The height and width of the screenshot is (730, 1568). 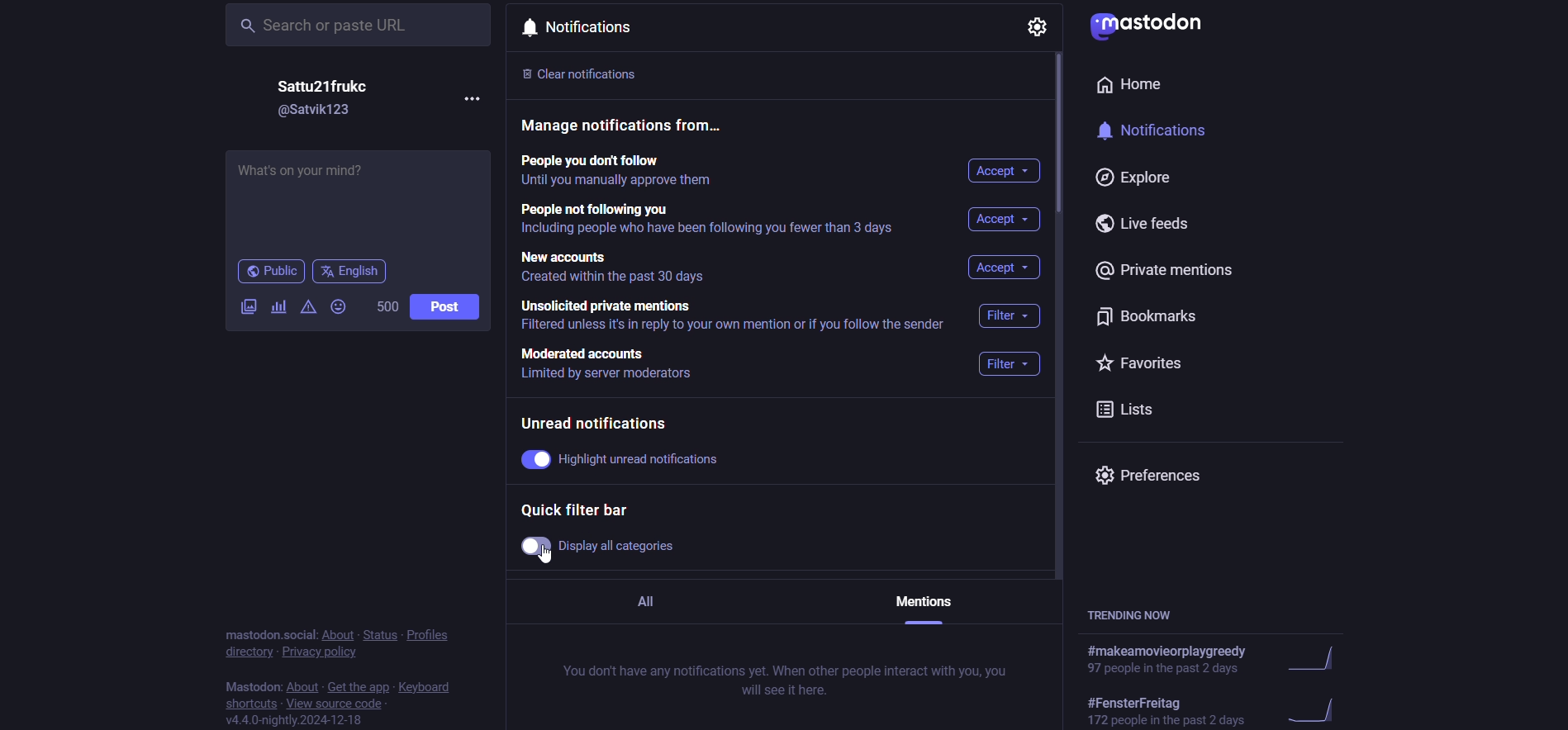 I want to click on trending graph, so click(x=1314, y=659).